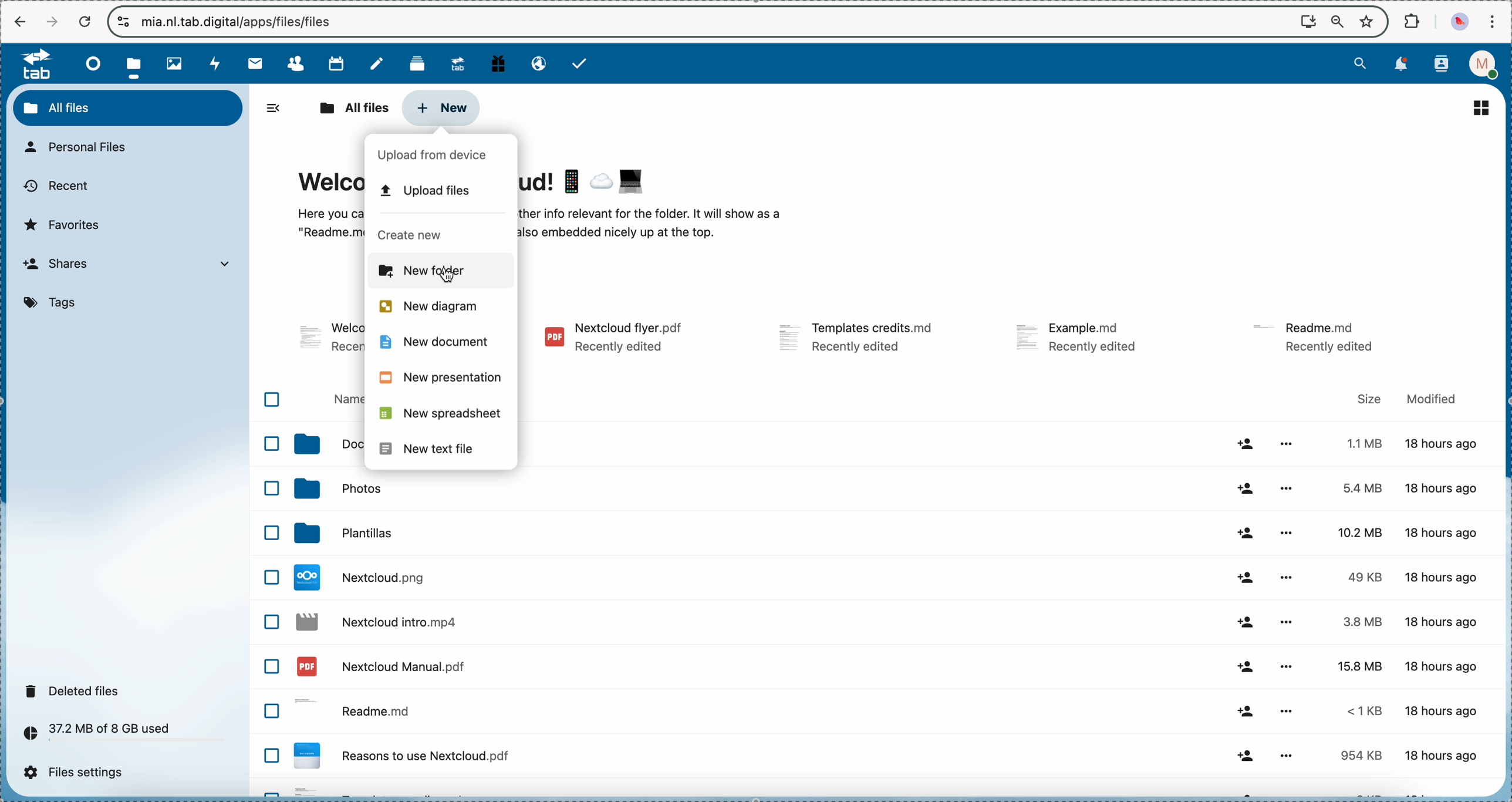  I want to click on file, so click(752, 668).